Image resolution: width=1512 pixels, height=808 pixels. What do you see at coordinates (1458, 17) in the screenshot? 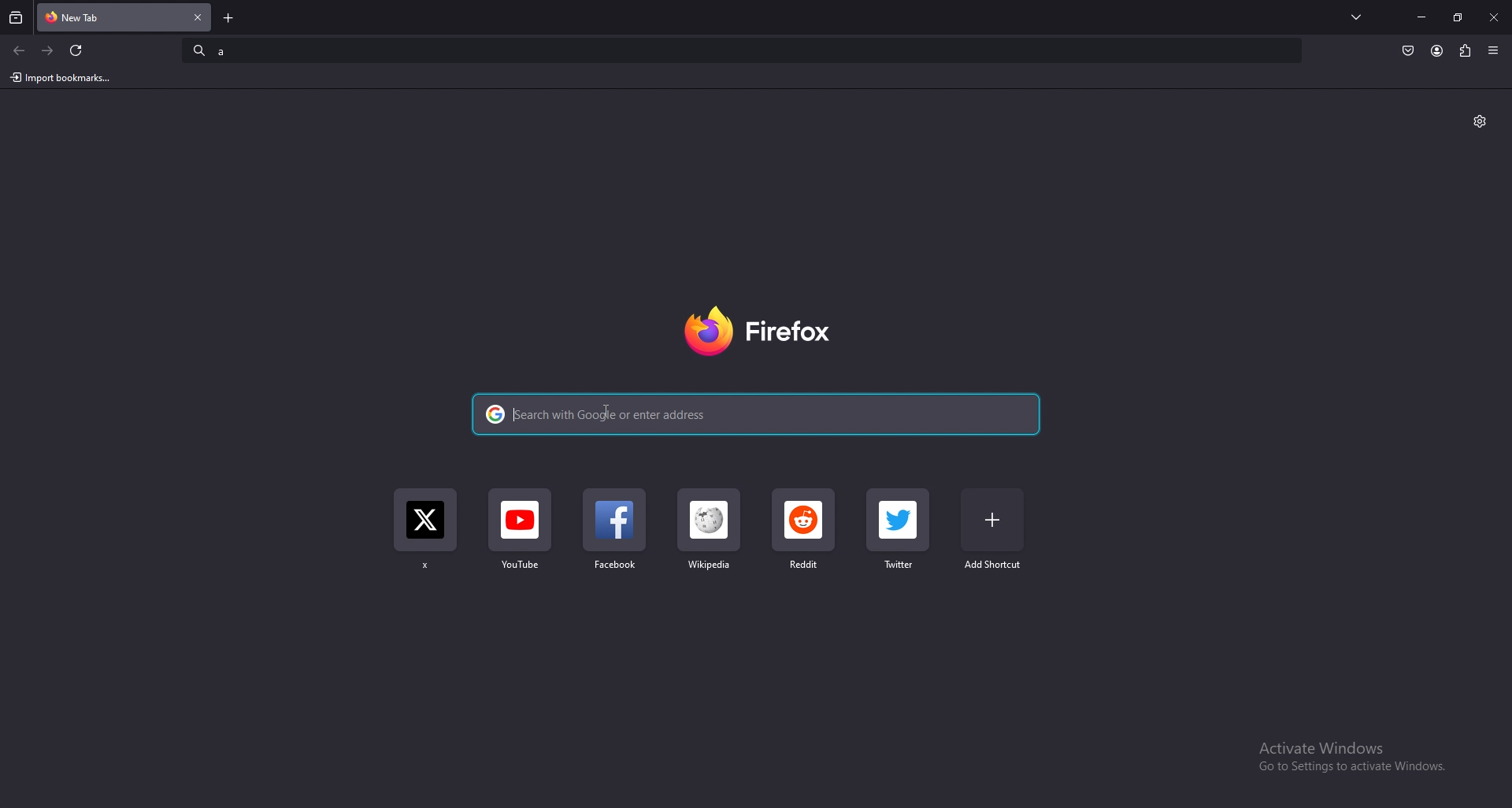
I see `resize` at bounding box center [1458, 17].